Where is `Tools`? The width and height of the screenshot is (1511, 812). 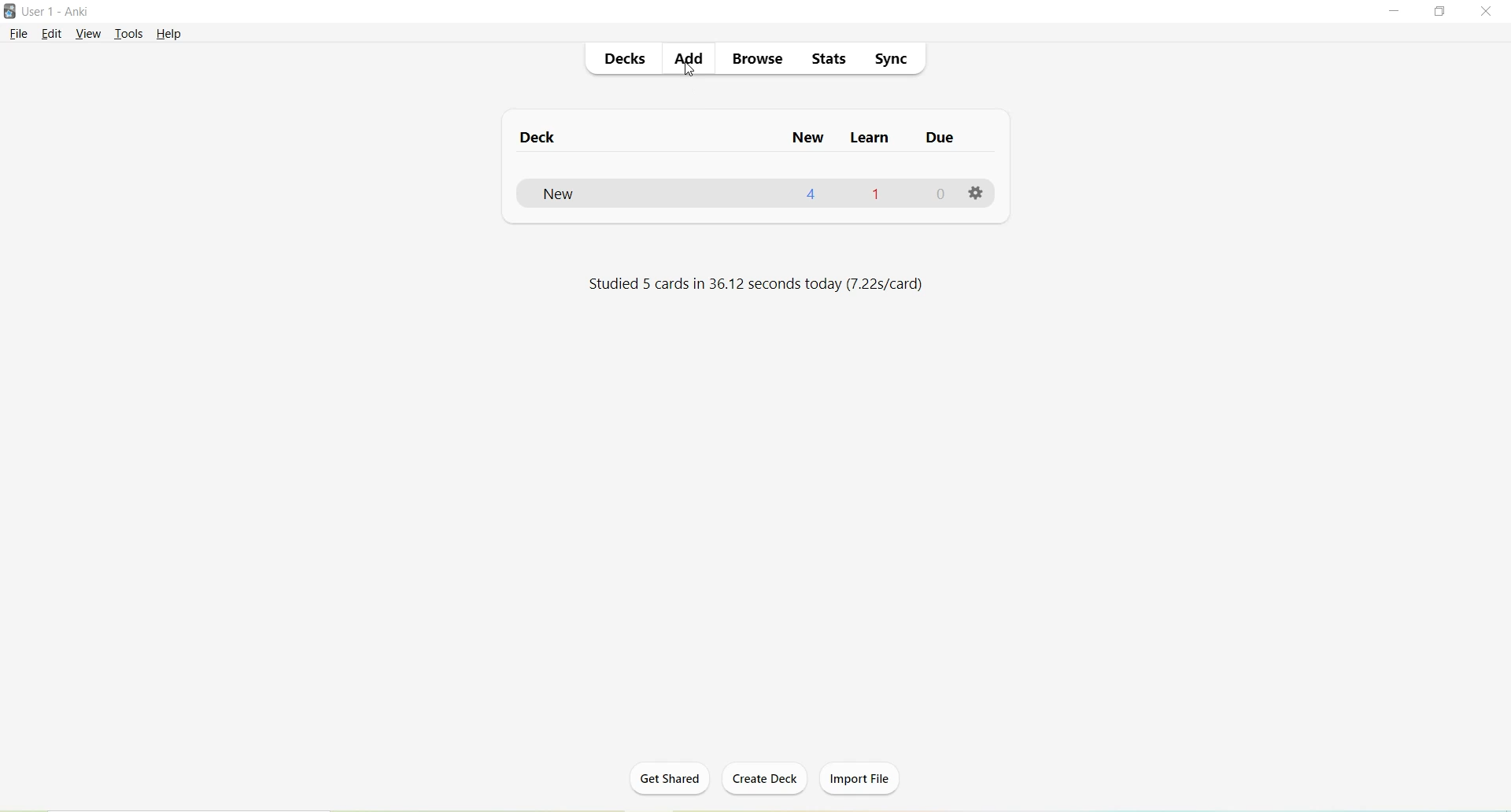 Tools is located at coordinates (129, 35).